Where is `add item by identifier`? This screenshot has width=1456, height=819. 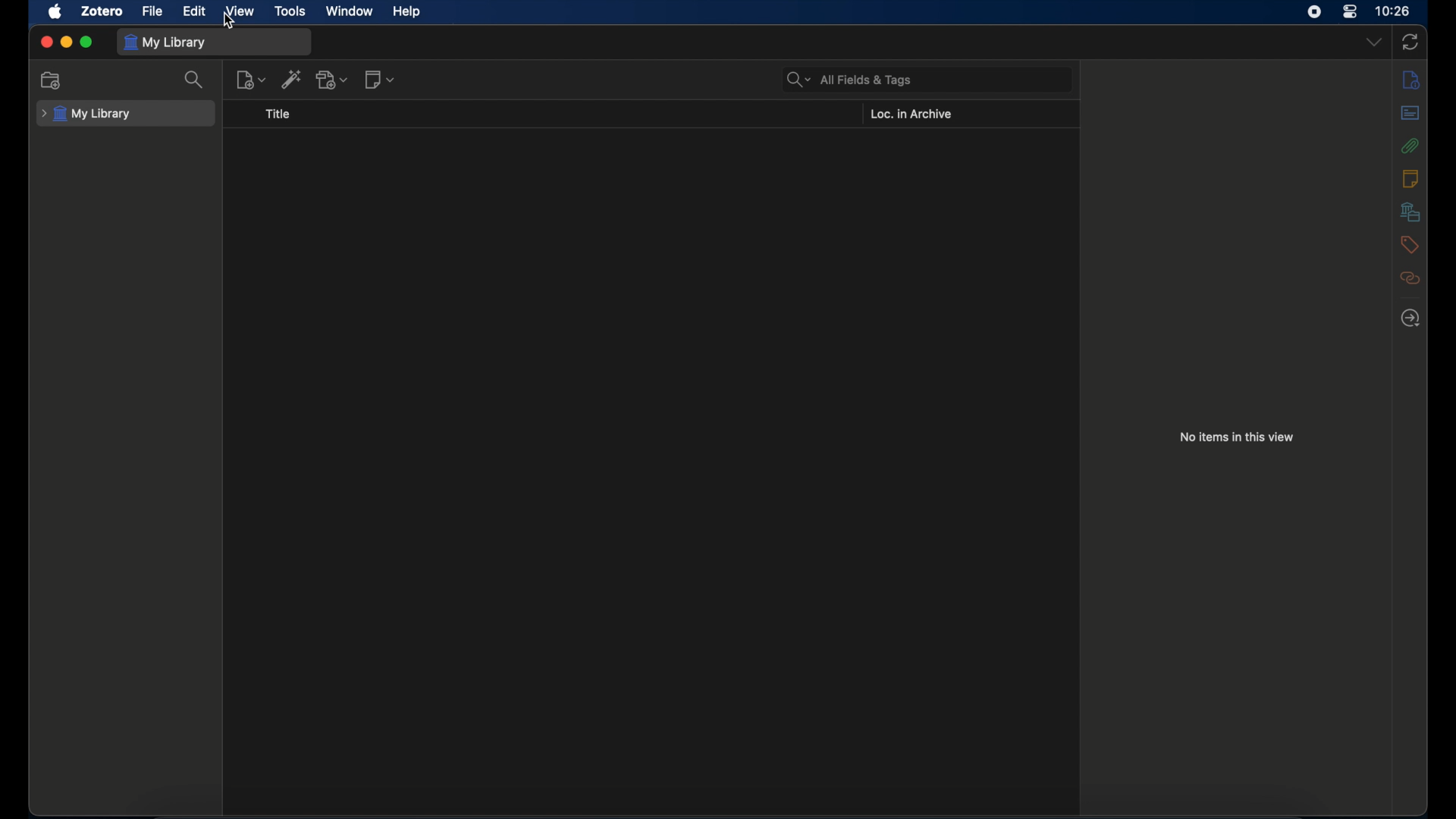 add item by identifier is located at coordinates (291, 79).